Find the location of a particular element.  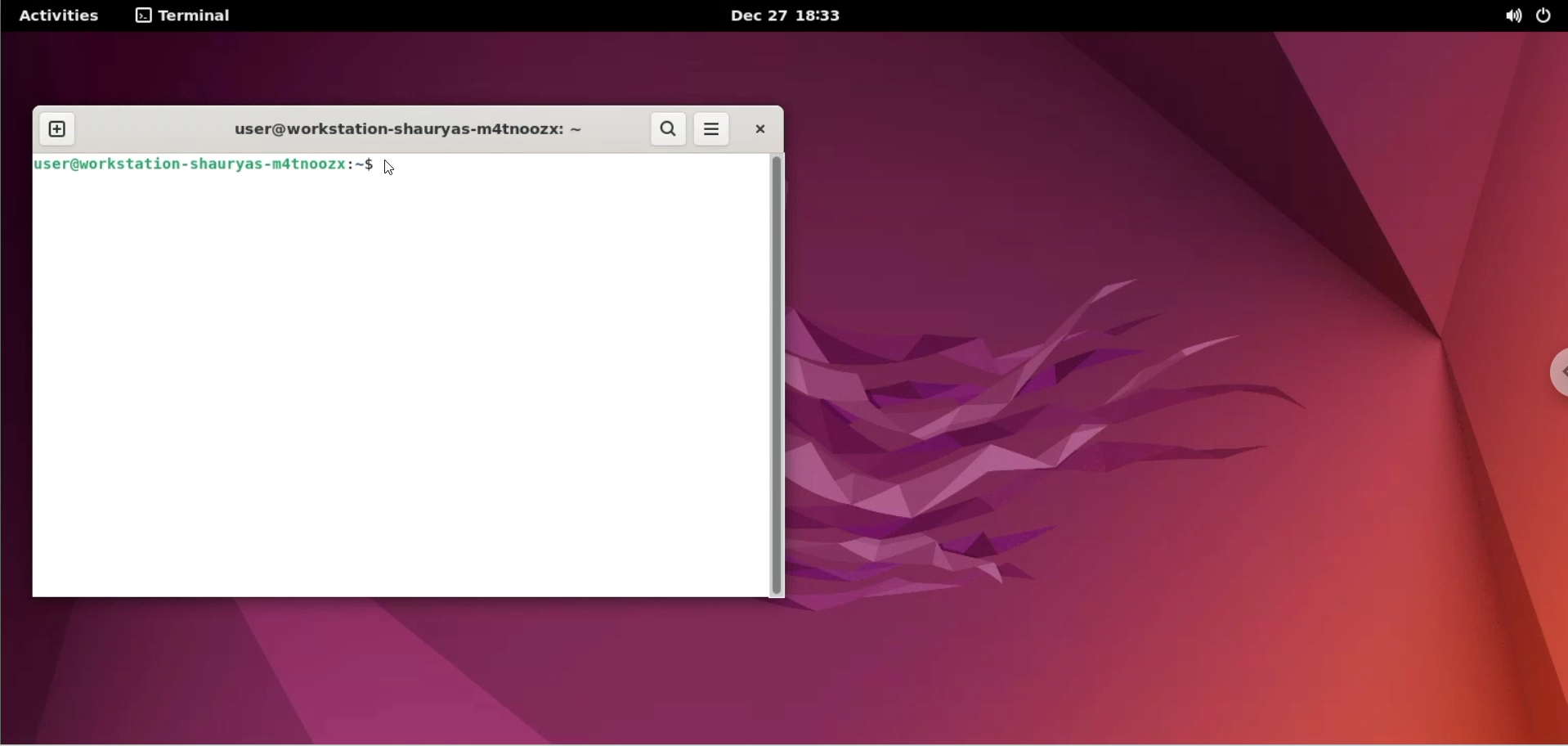

close is located at coordinates (758, 129).